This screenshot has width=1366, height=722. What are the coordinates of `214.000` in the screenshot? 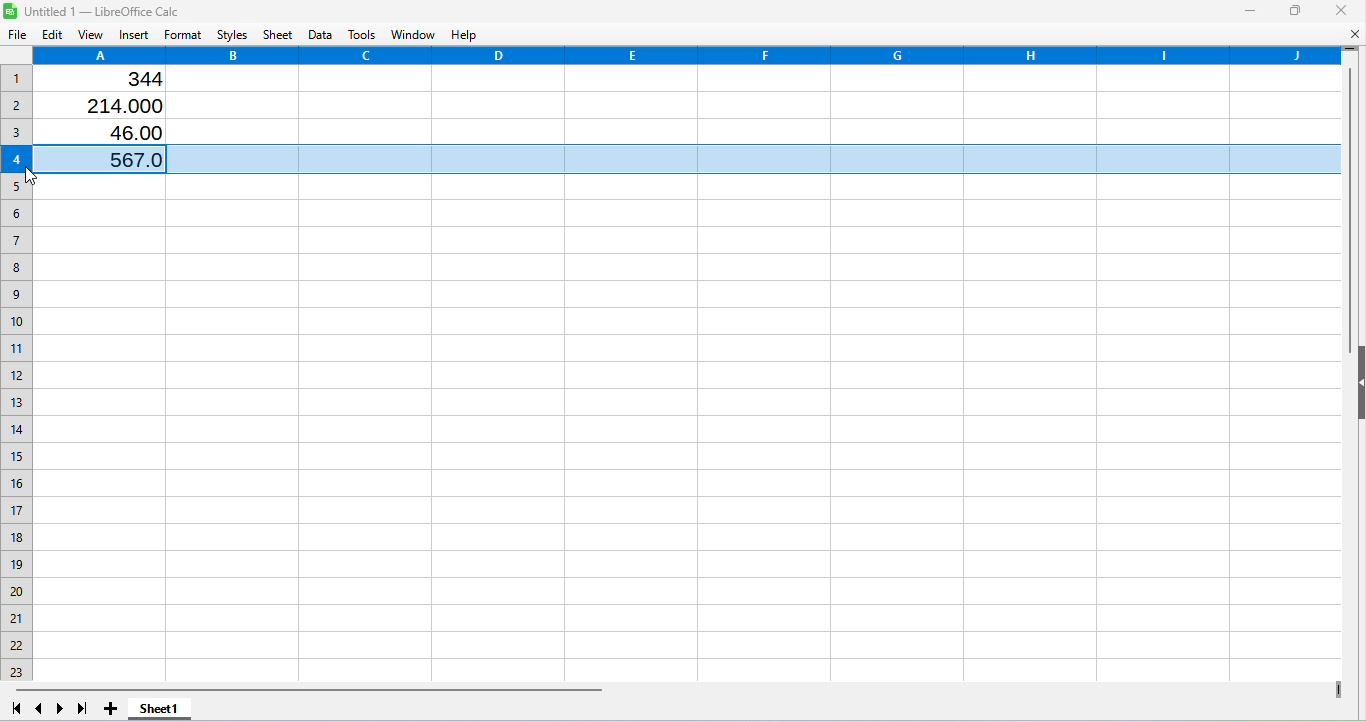 It's located at (119, 105).